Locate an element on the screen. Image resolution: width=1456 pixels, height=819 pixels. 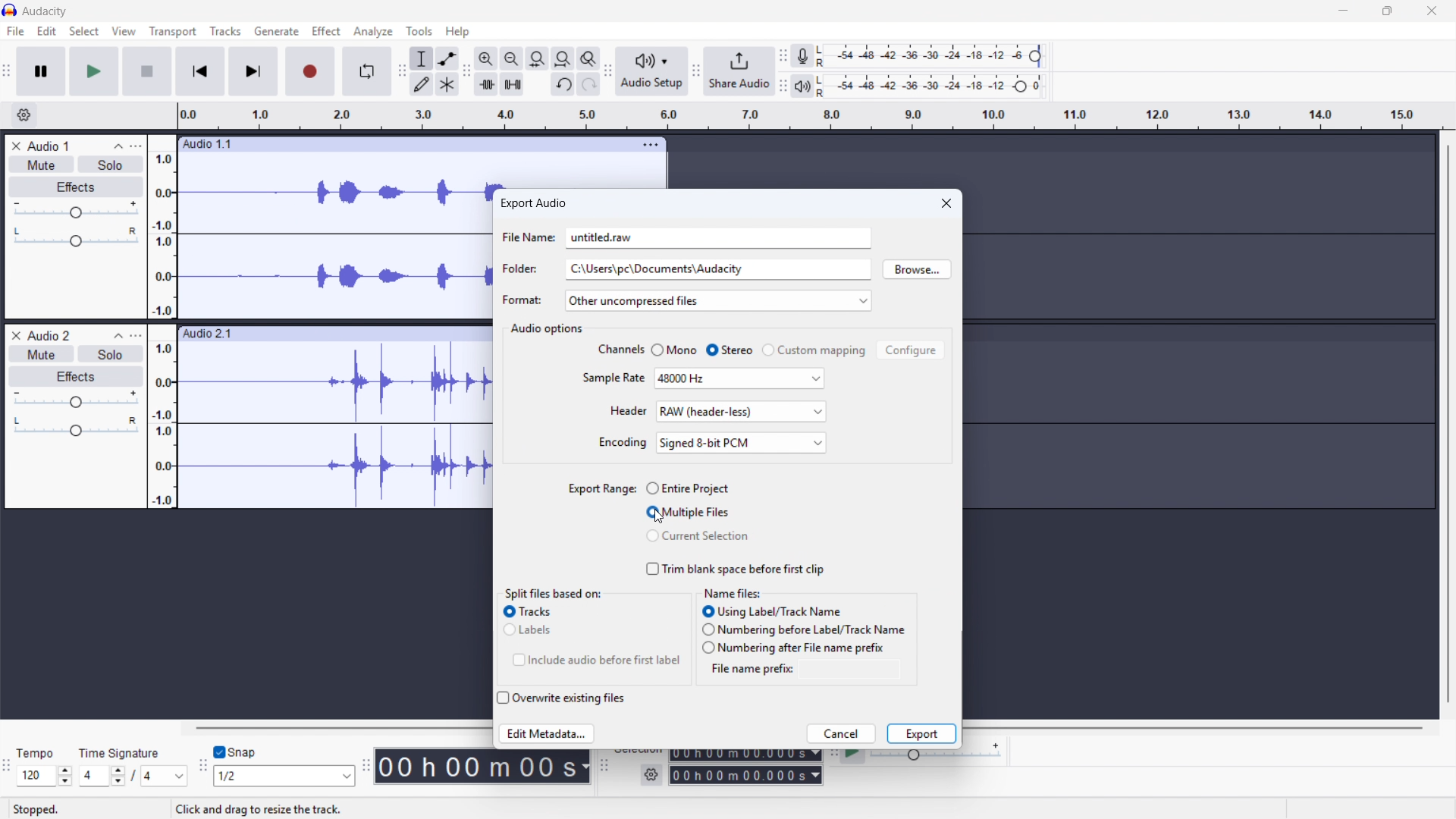
Timeline settings  is located at coordinates (24, 115).